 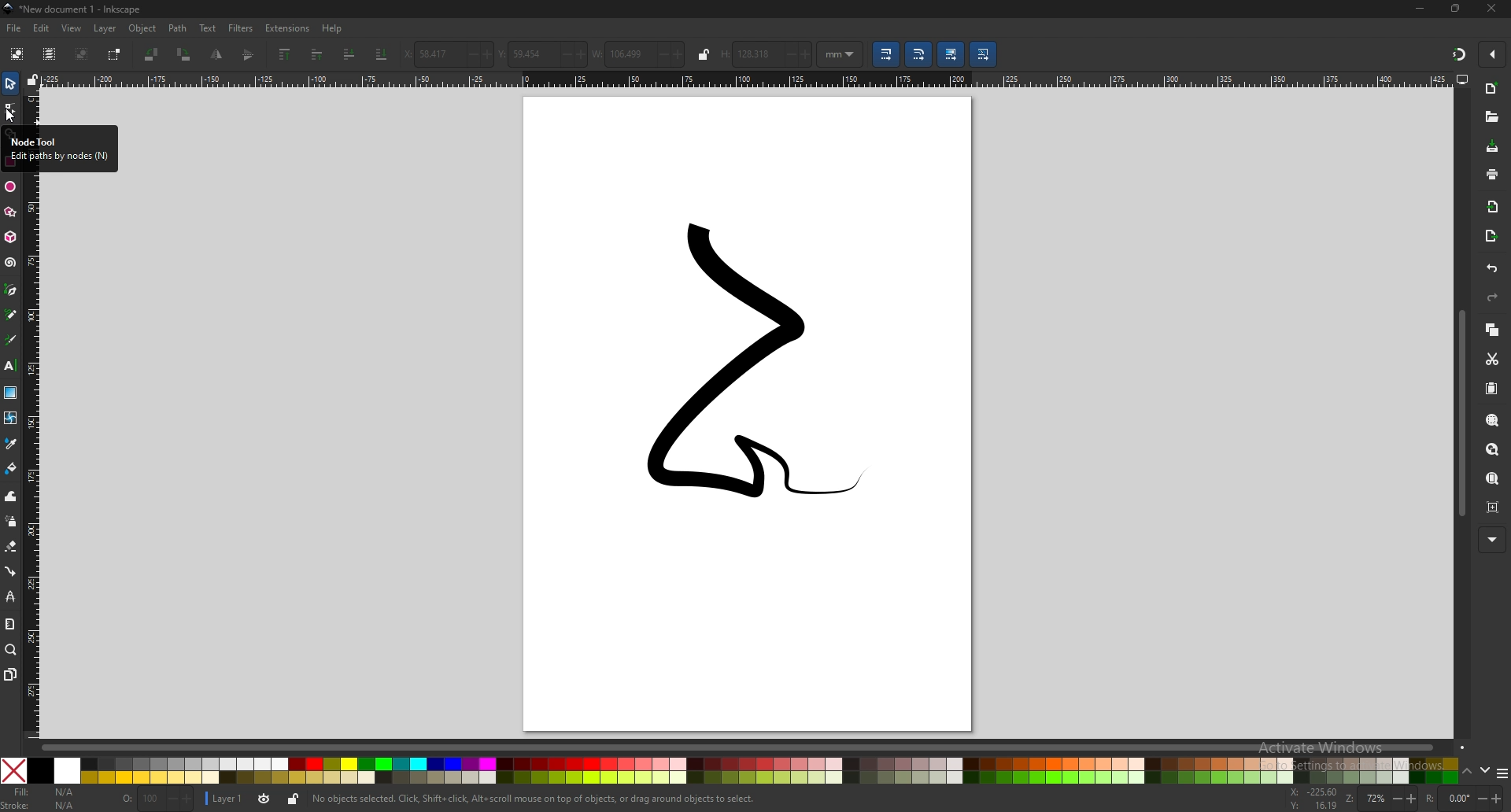 What do you see at coordinates (157, 799) in the screenshot?
I see `Opacity` at bounding box center [157, 799].